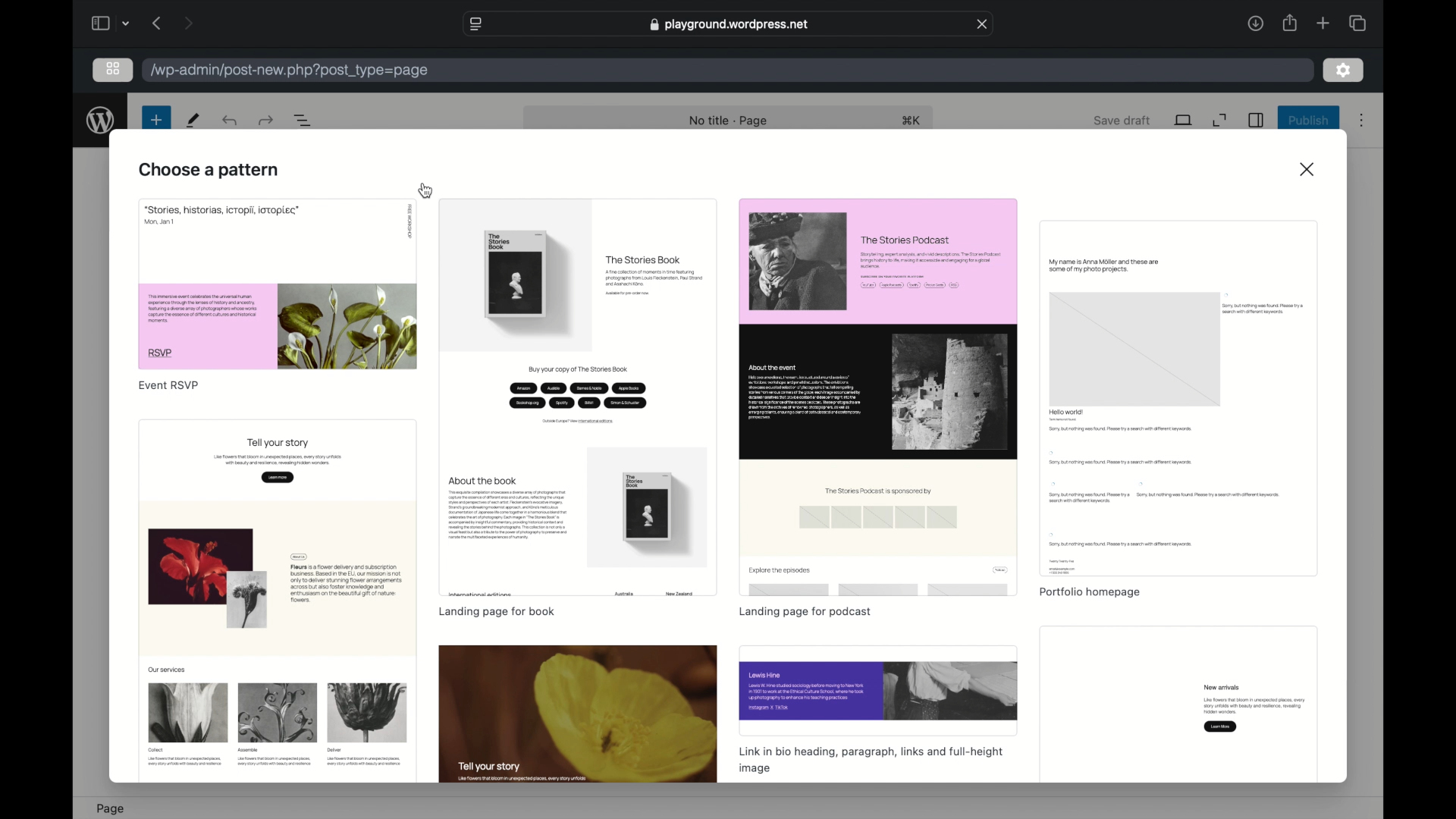 Image resolution: width=1456 pixels, height=819 pixels. What do you see at coordinates (1323, 23) in the screenshot?
I see `new tab` at bounding box center [1323, 23].